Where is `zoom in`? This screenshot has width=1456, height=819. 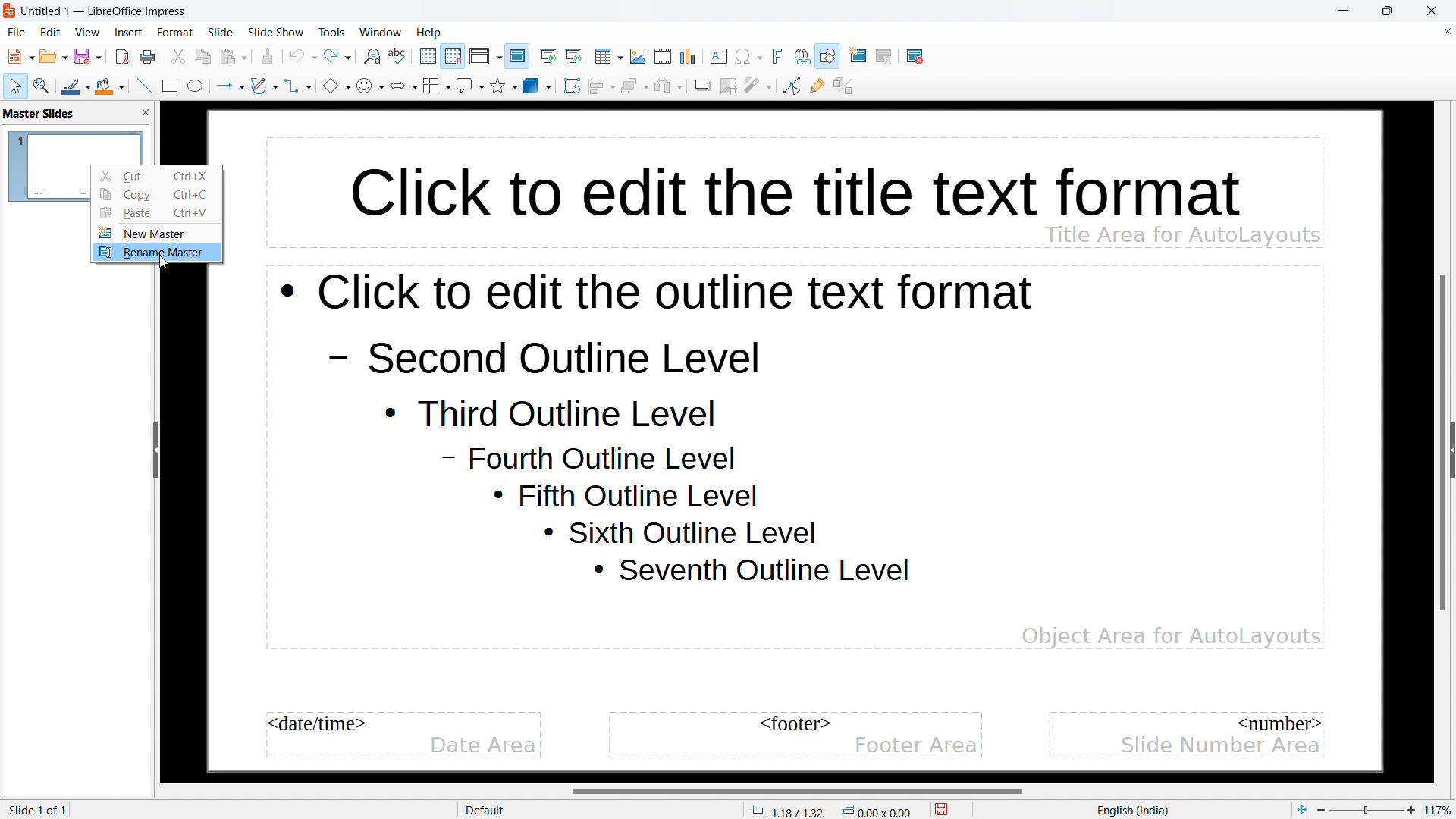 zoom in is located at coordinates (1411, 808).